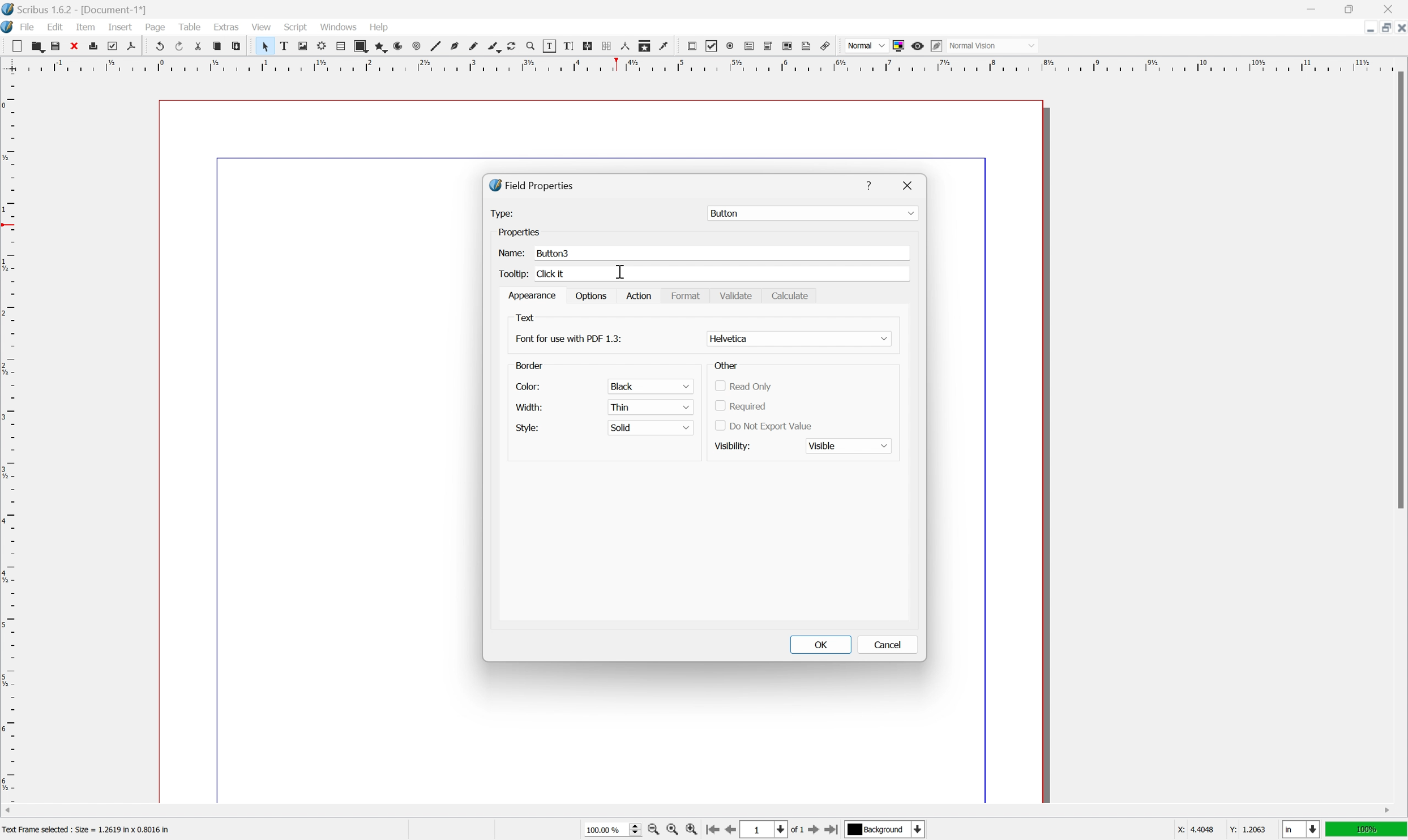  I want to click on required, so click(740, 405).